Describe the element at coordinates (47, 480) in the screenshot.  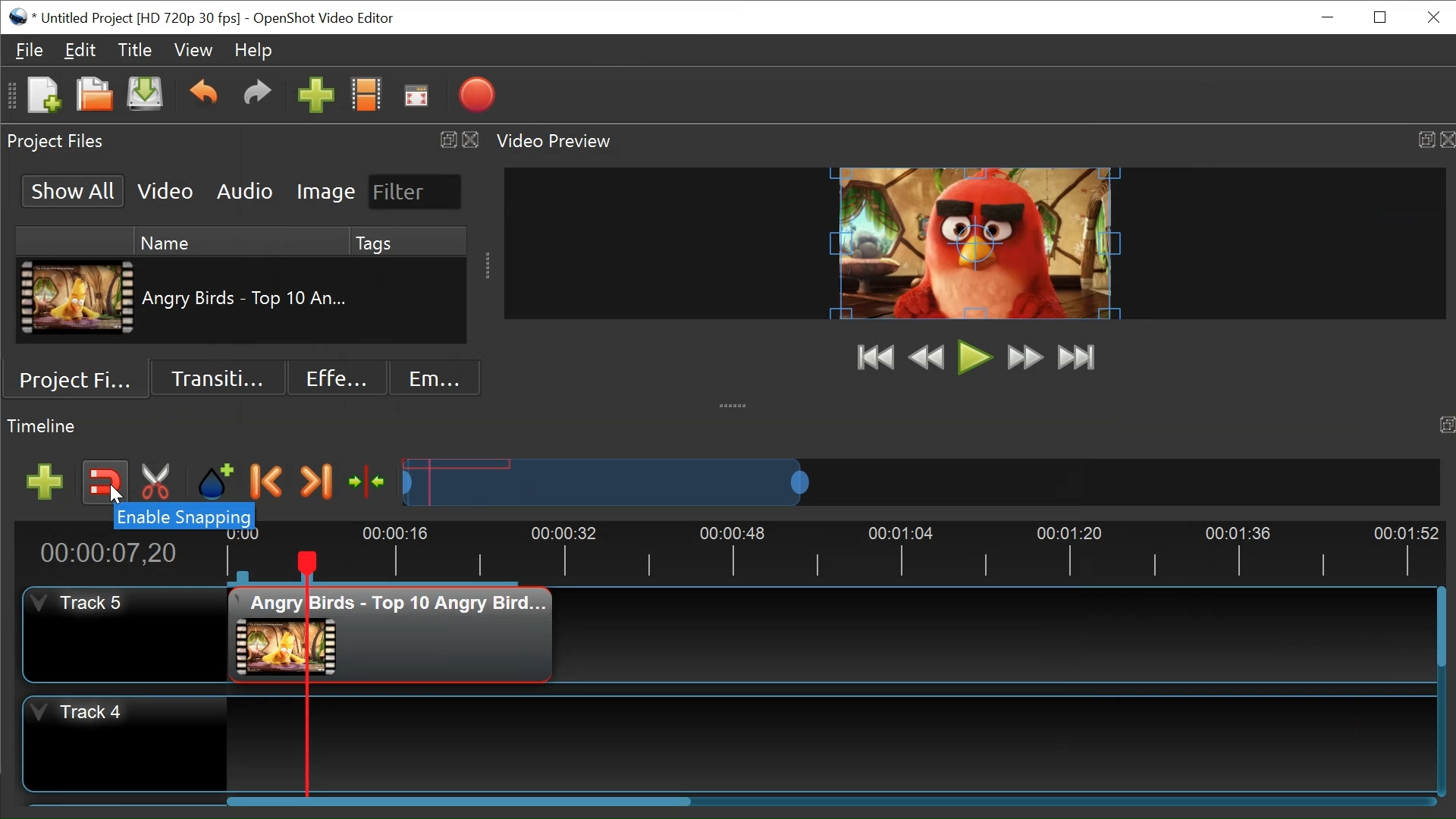
I see `Add Track` at that location.